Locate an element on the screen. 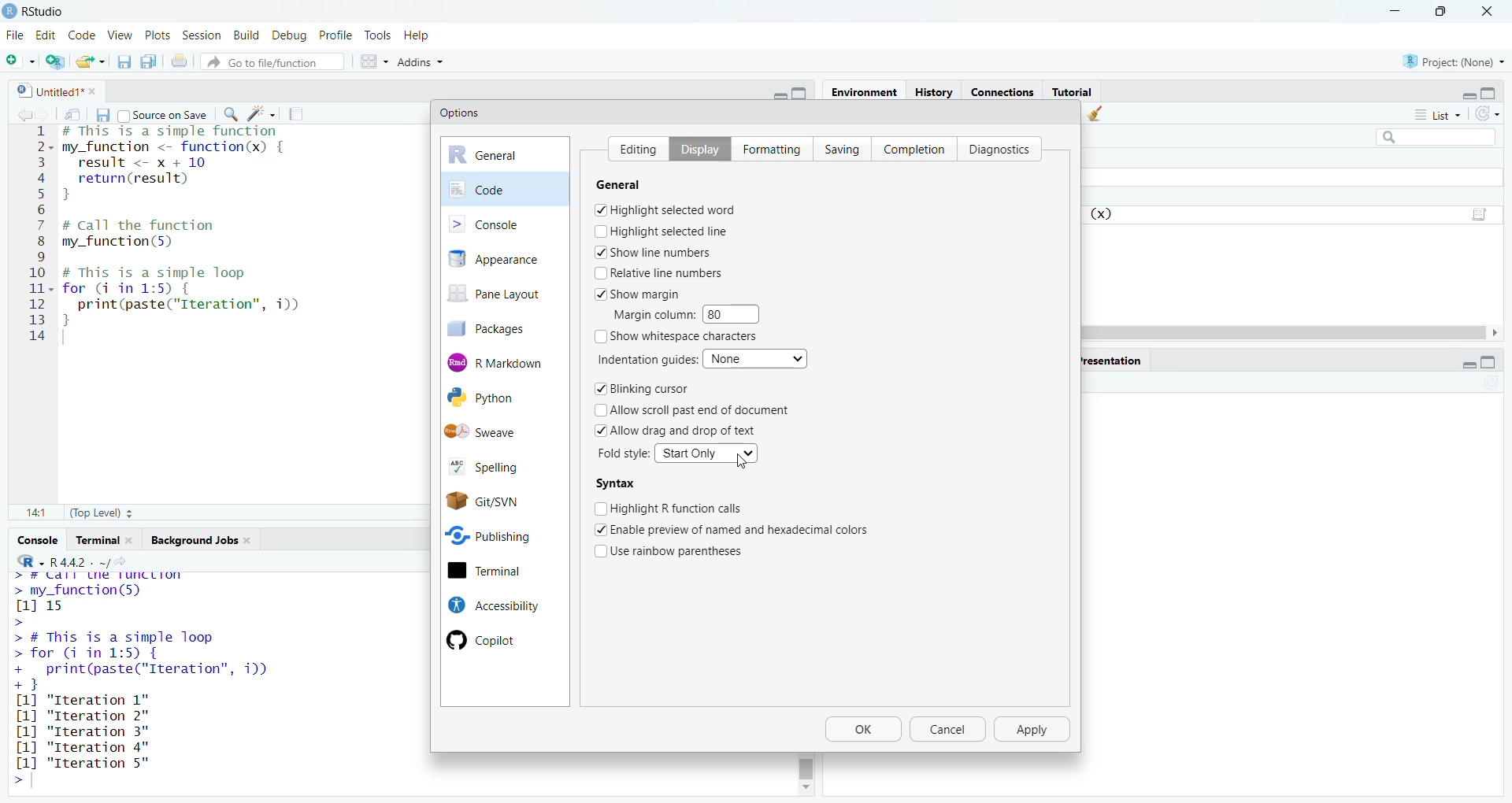  code is located at coordinates (506, 188).